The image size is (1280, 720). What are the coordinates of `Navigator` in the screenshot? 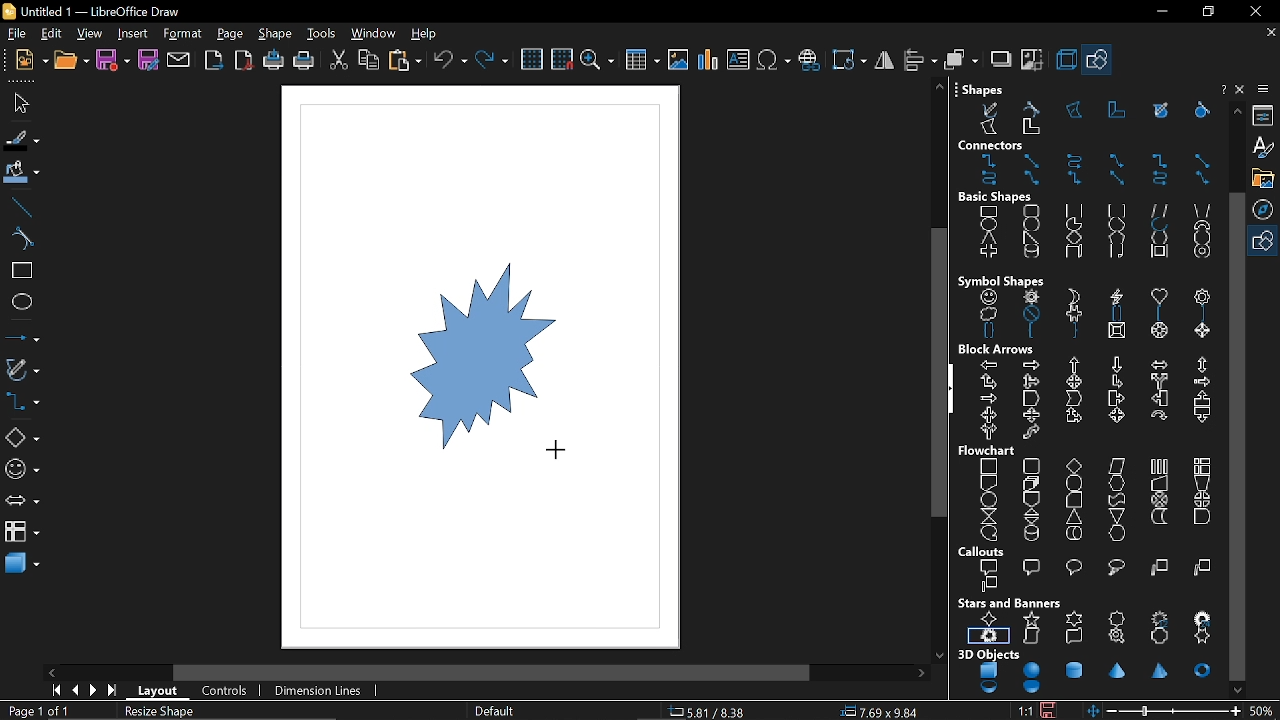 It's located at (1266, 209).